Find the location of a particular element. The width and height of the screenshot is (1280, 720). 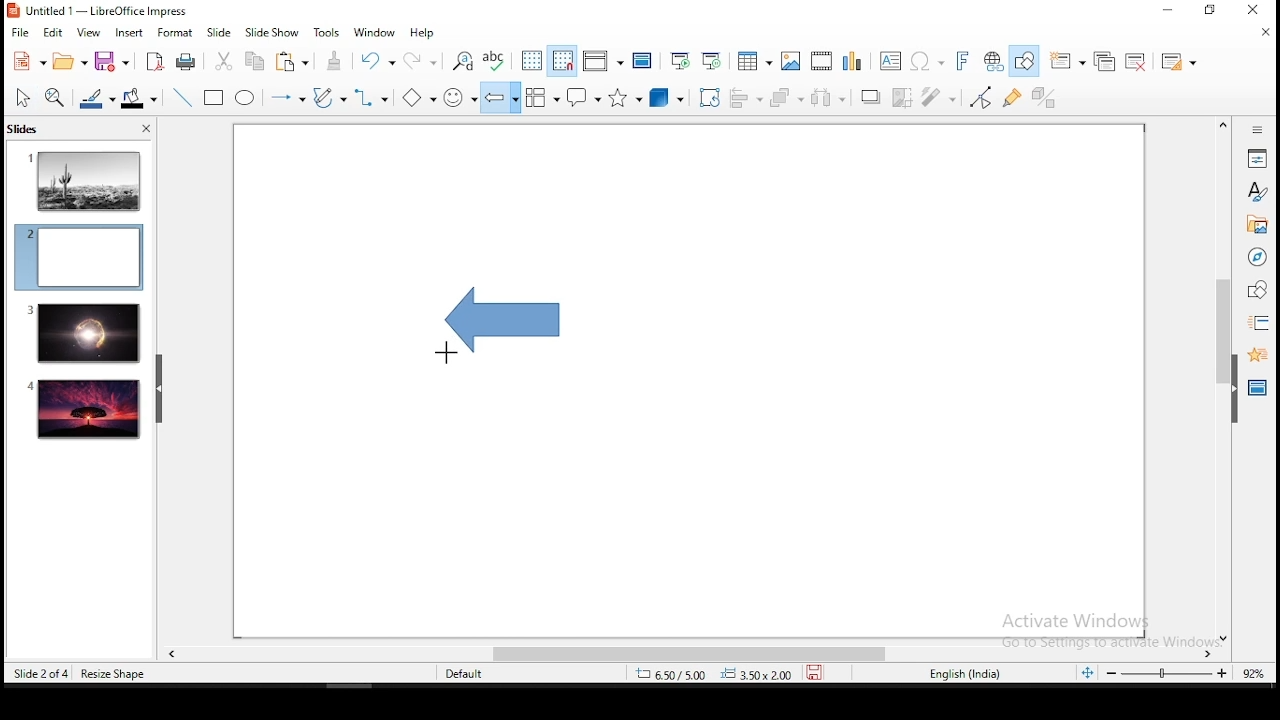

active shape is located at coordinates (488, 323).